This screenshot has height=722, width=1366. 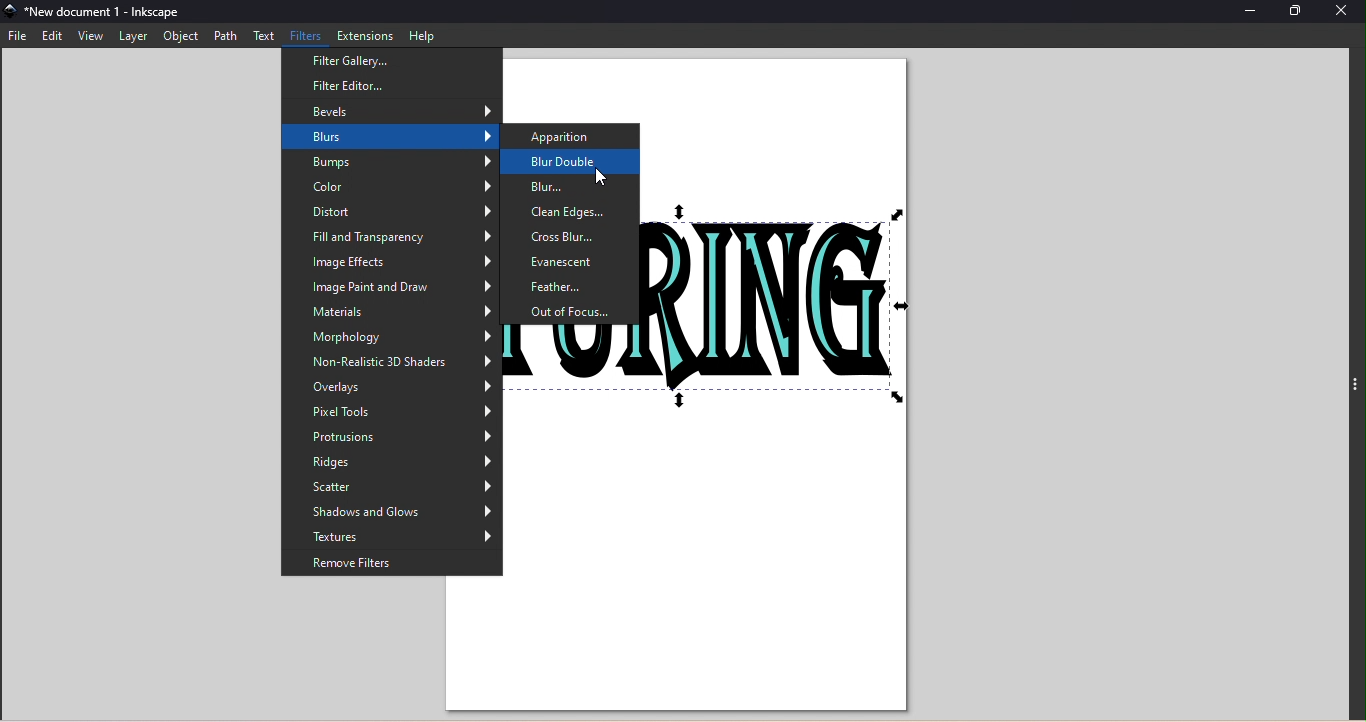 I want to click on Clean edges..., so click(x=572, y=214).